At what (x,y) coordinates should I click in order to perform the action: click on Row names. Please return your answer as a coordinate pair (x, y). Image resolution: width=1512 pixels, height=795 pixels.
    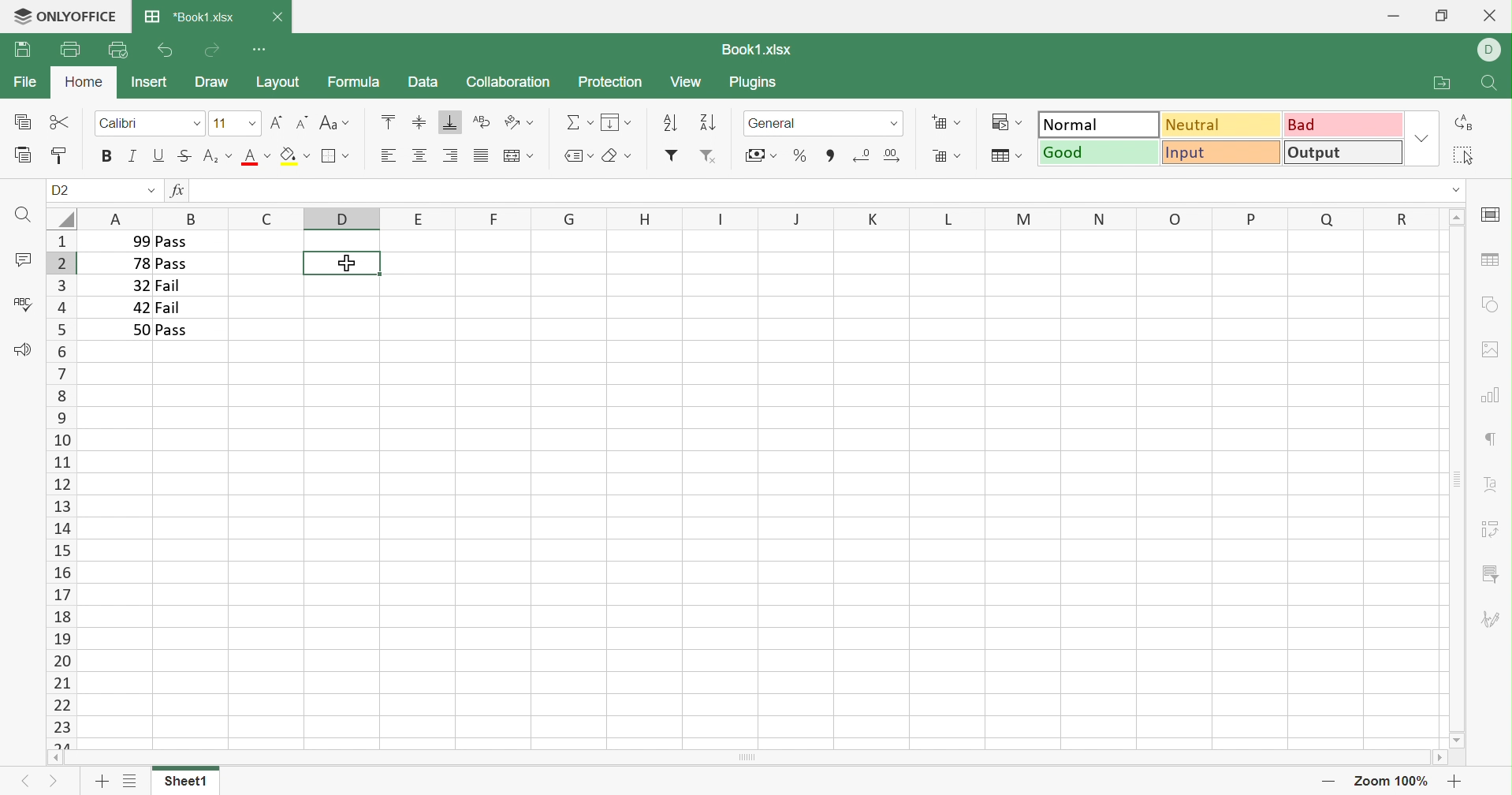
    Looking at the image, I should click on (60, 489).